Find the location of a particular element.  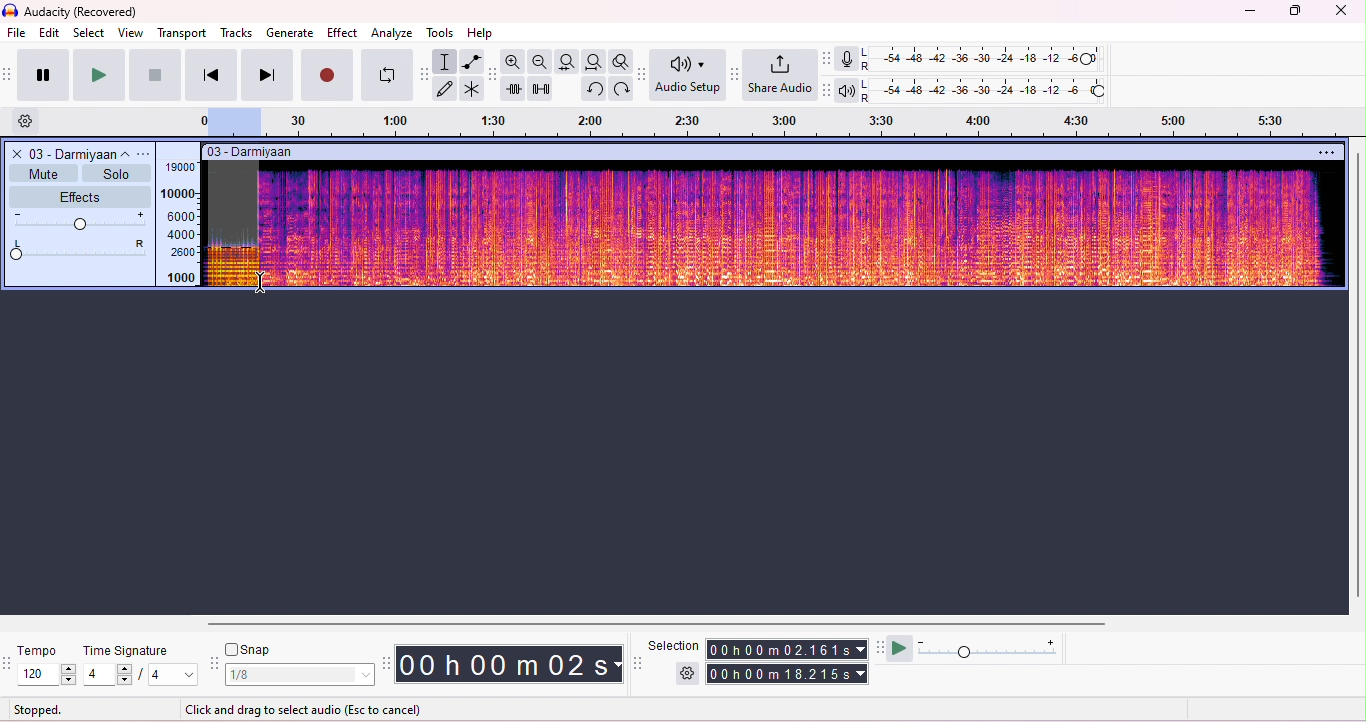

tempo is located at coordinates (43, 650).